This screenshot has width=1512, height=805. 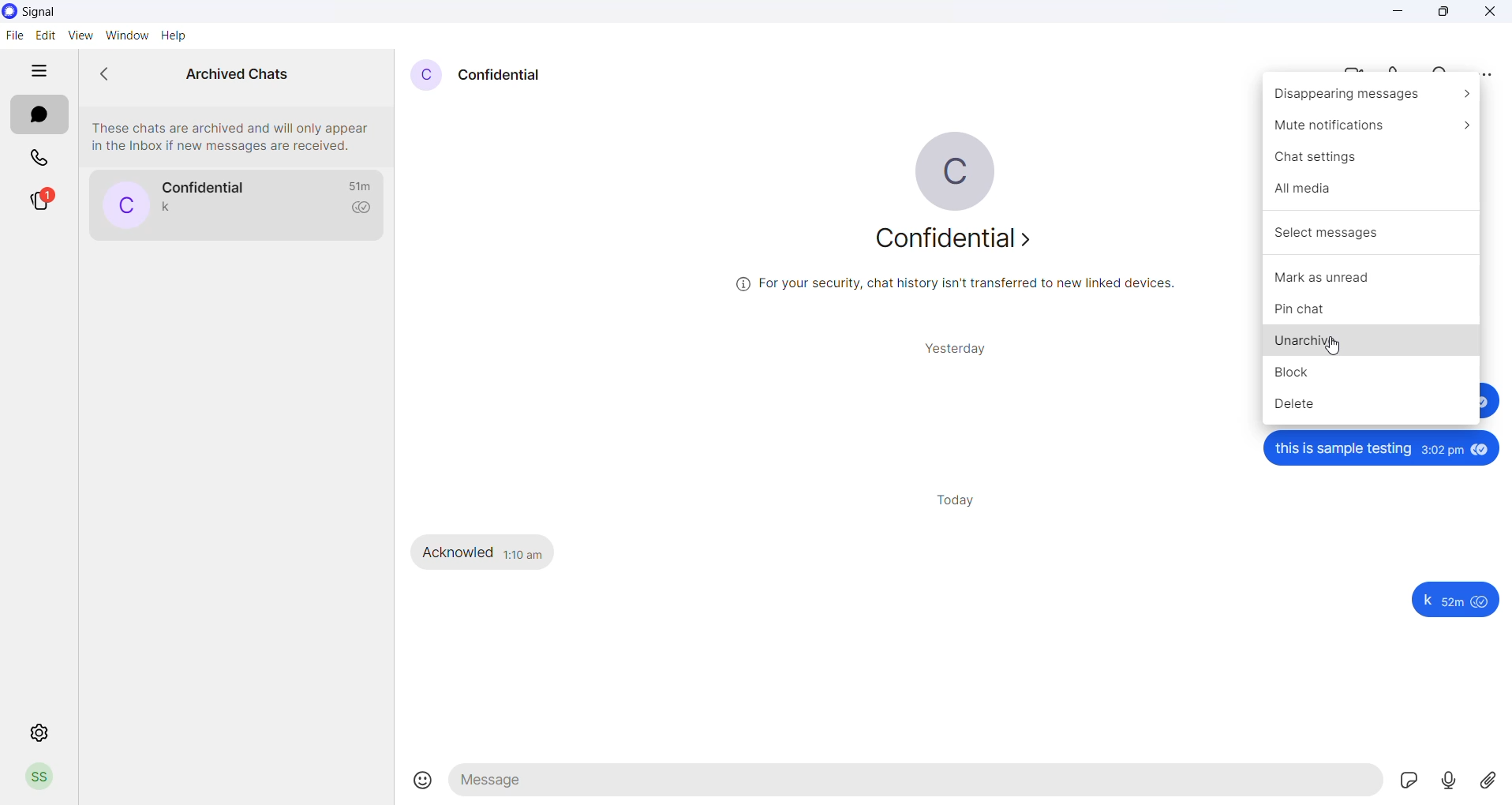 What do you see at coordinates (125, 35) in the screenshot?
I see `window` at bounding box center [125, 35].